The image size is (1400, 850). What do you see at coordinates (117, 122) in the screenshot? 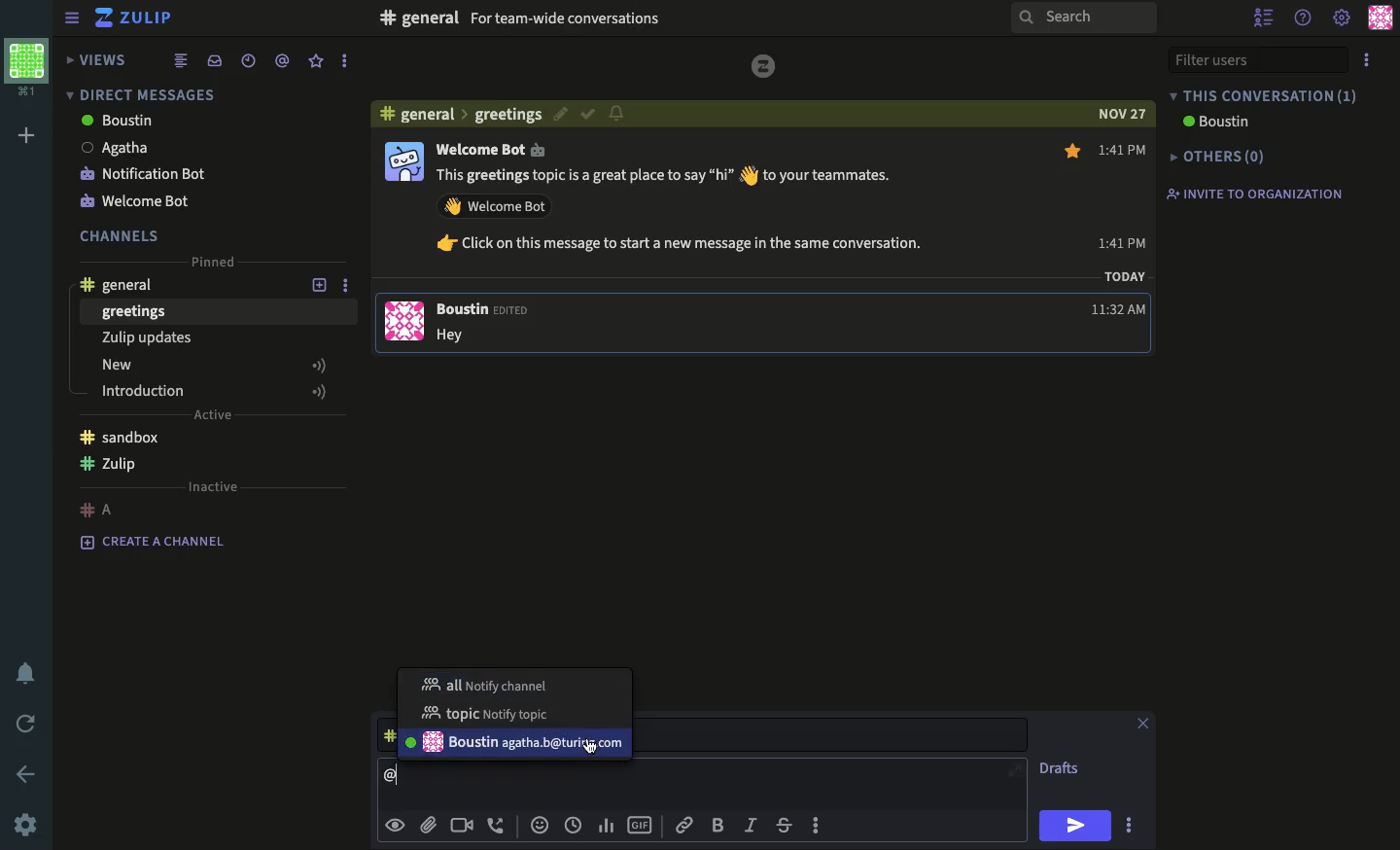
I see `boustin` at bounding box center [117, 122].